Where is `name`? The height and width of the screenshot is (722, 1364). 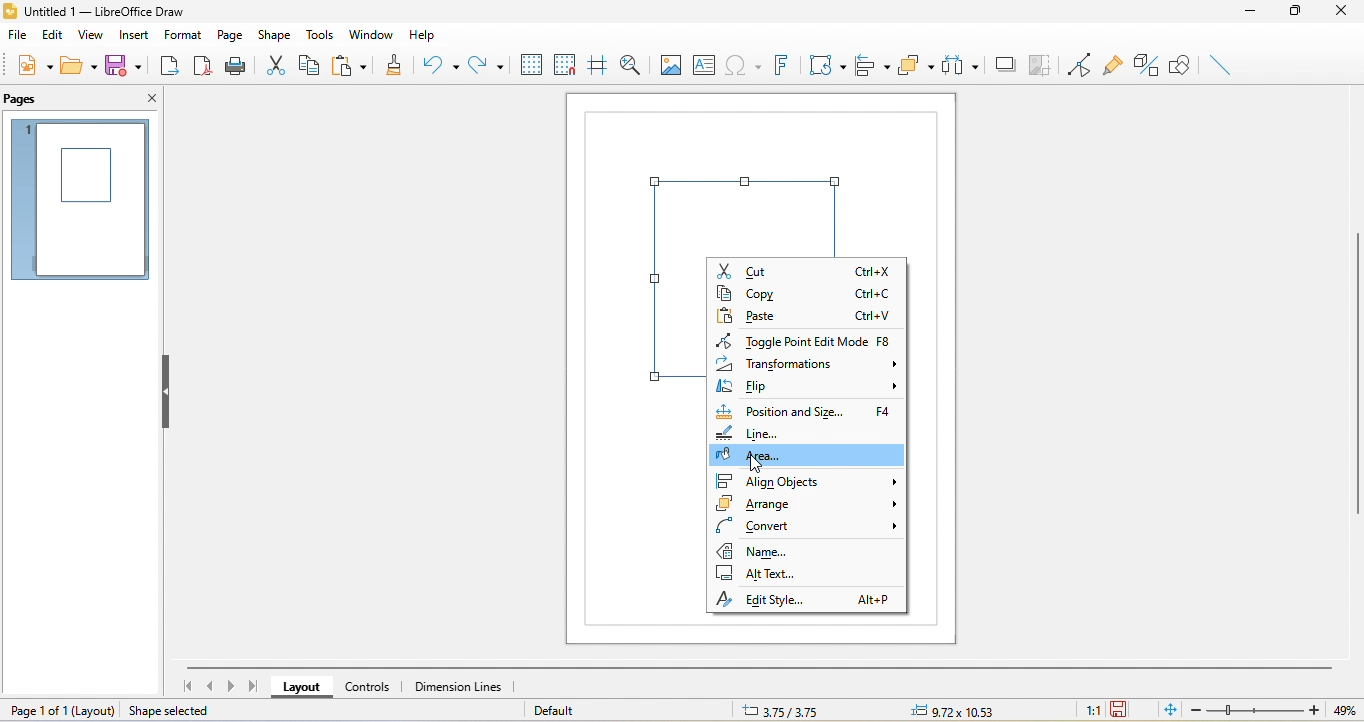
name is located at coordinates (766, 550).